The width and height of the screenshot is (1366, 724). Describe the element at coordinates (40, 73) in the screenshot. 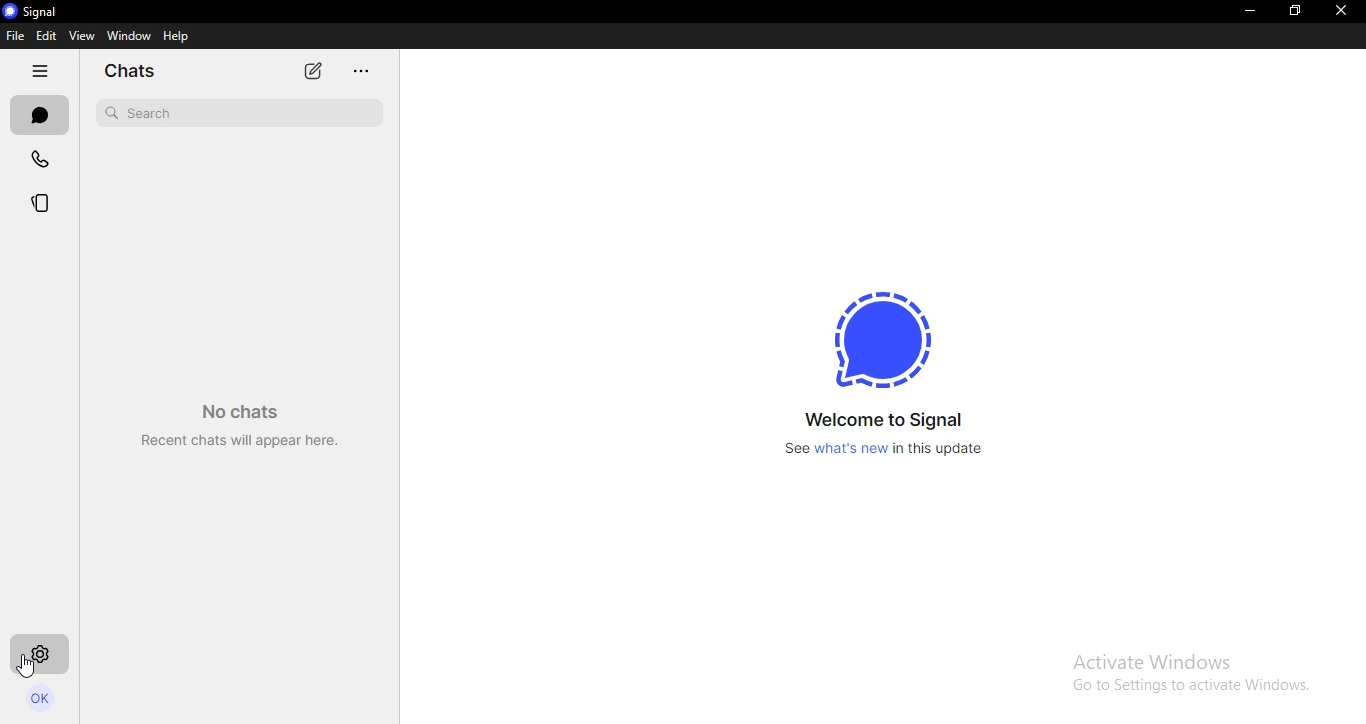

I see `hide tabs` at that location.